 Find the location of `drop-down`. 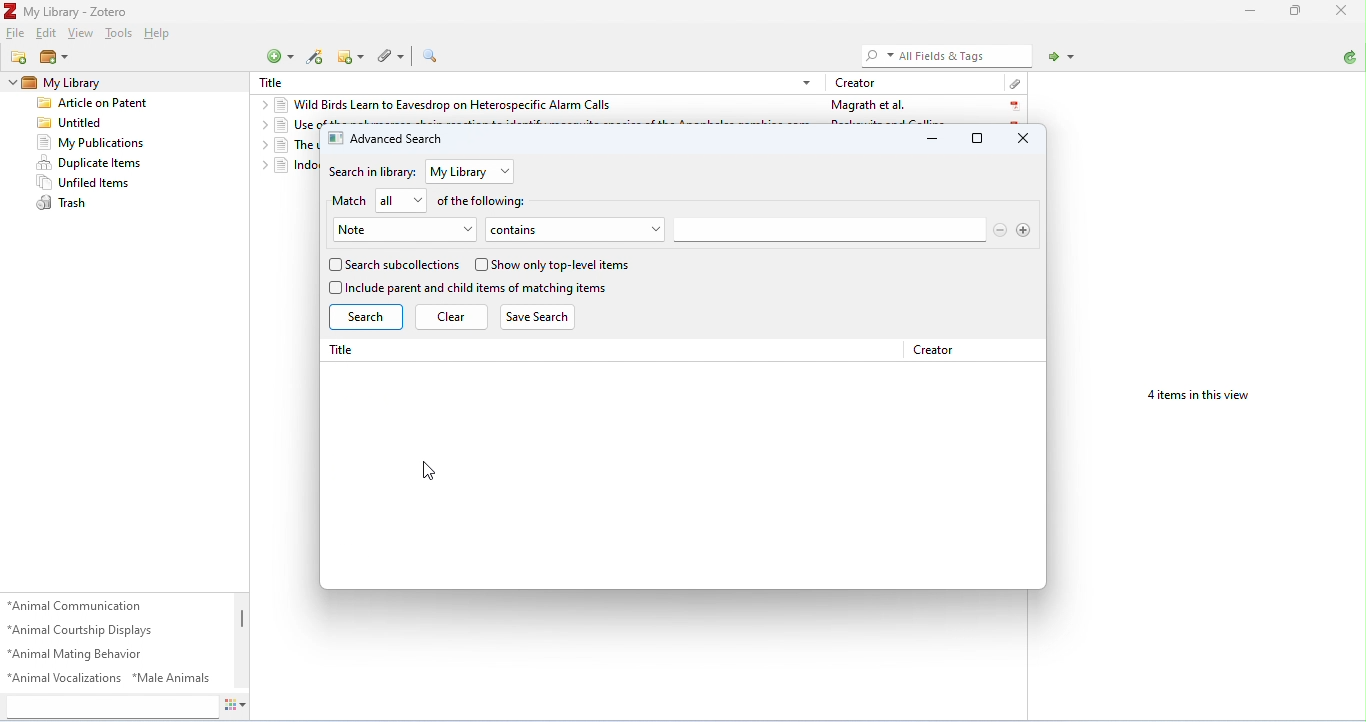

drop-down is located at coordinates (259, 165).